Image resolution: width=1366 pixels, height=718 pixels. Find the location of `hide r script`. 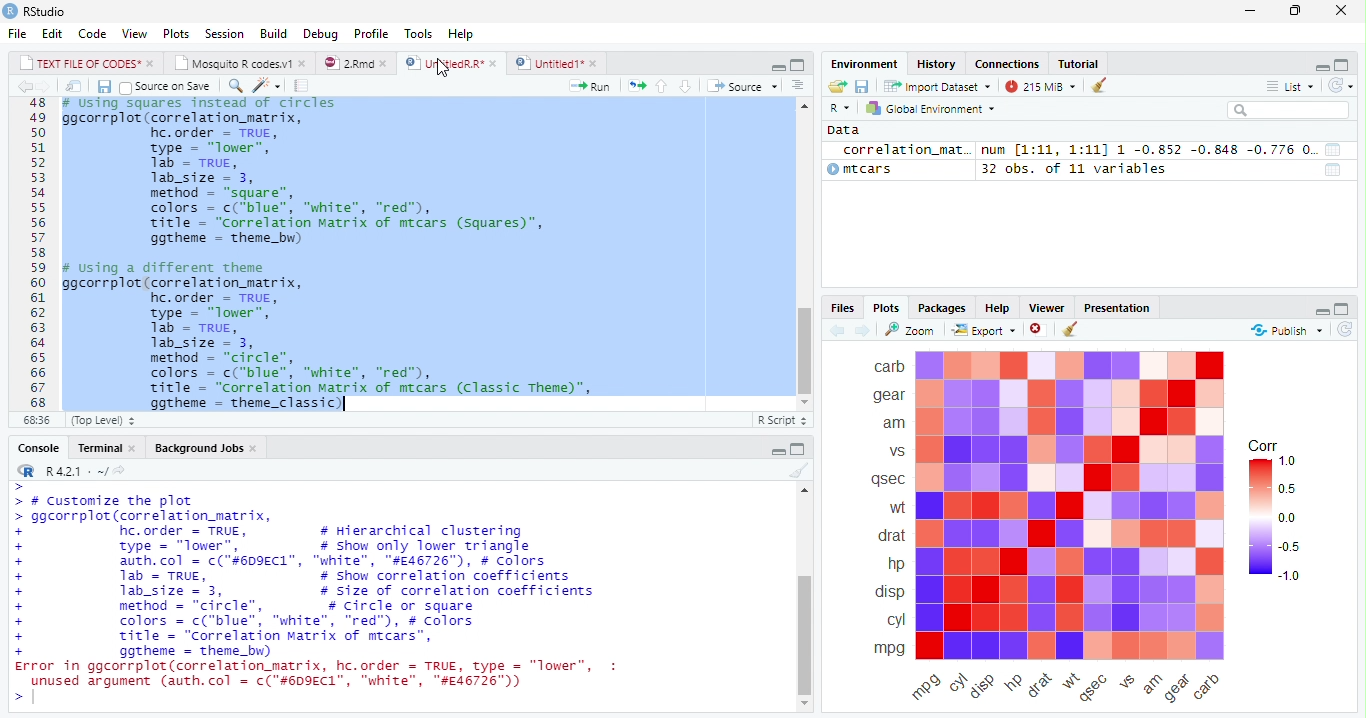

hide r script is located at coordinates (775, 67).